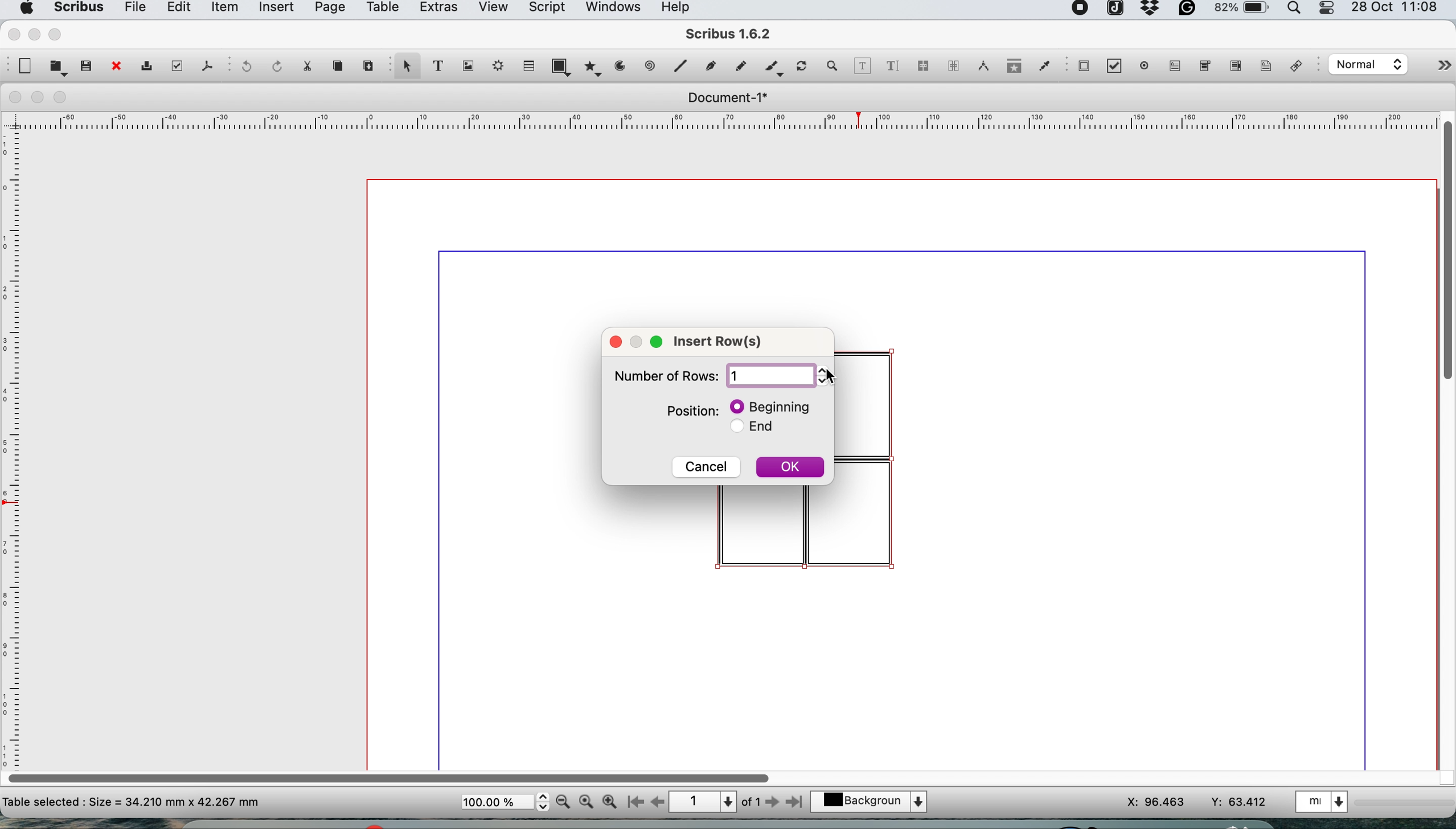 The image size is (1456, 829). I want to click on system logo, so click(24, 9).